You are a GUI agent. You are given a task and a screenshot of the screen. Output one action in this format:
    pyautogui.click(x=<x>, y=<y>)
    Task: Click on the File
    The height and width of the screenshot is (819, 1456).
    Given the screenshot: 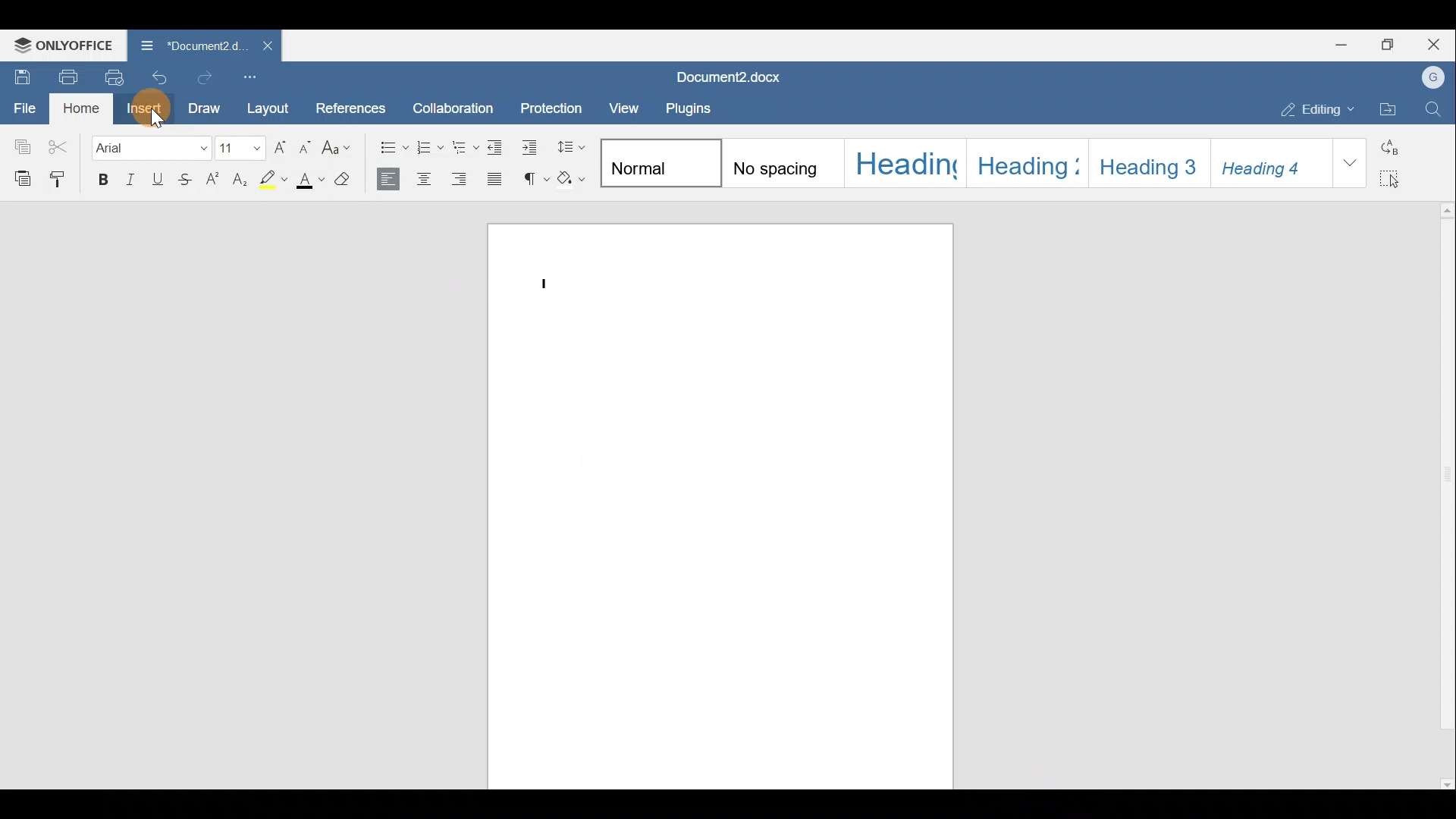 What is the action you would take?
    pyautogui.click(x=23, y=107)
    